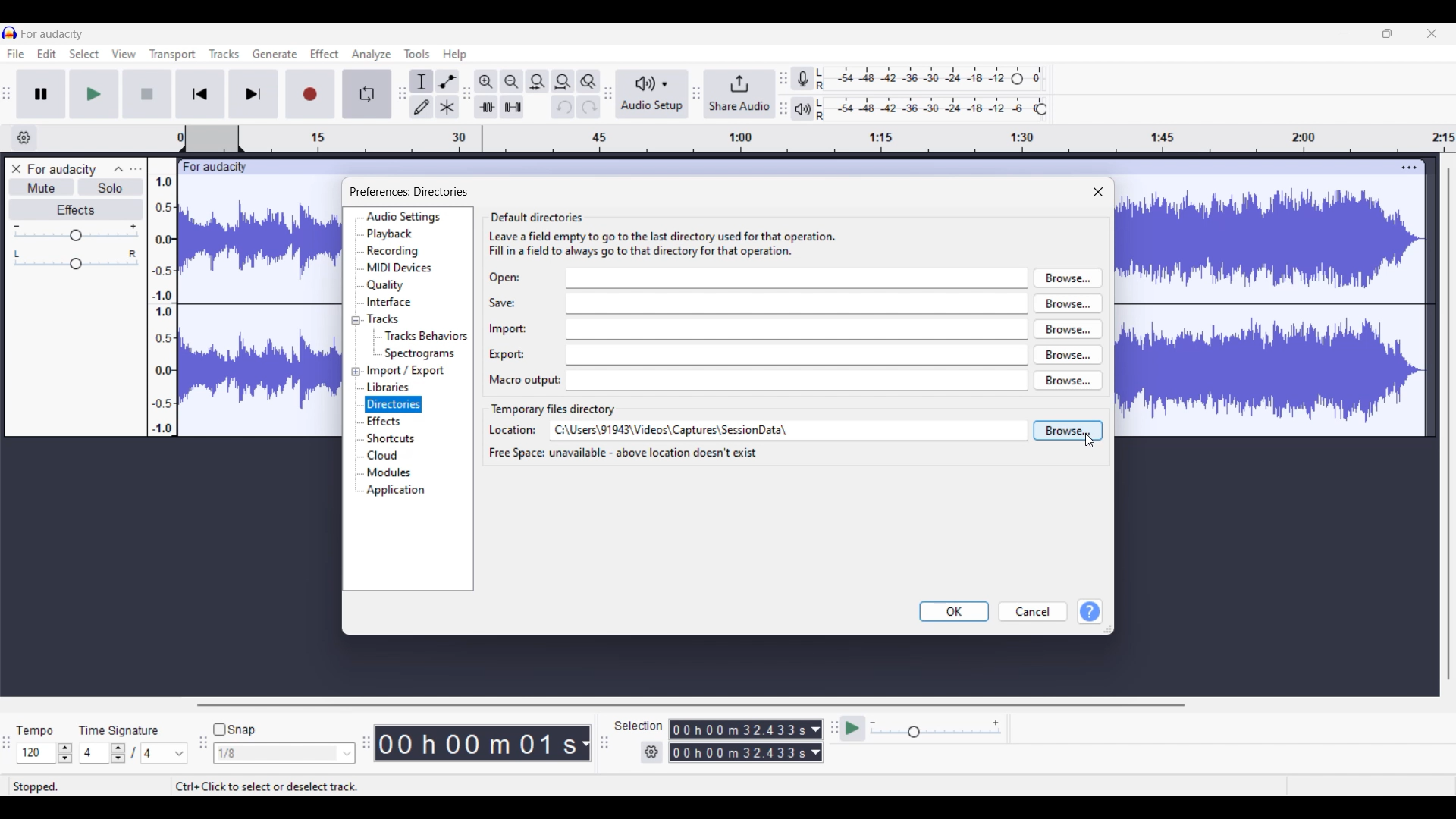 This screenshot has width=1456, height=819. I want to click on Quality, so click(386, 285).